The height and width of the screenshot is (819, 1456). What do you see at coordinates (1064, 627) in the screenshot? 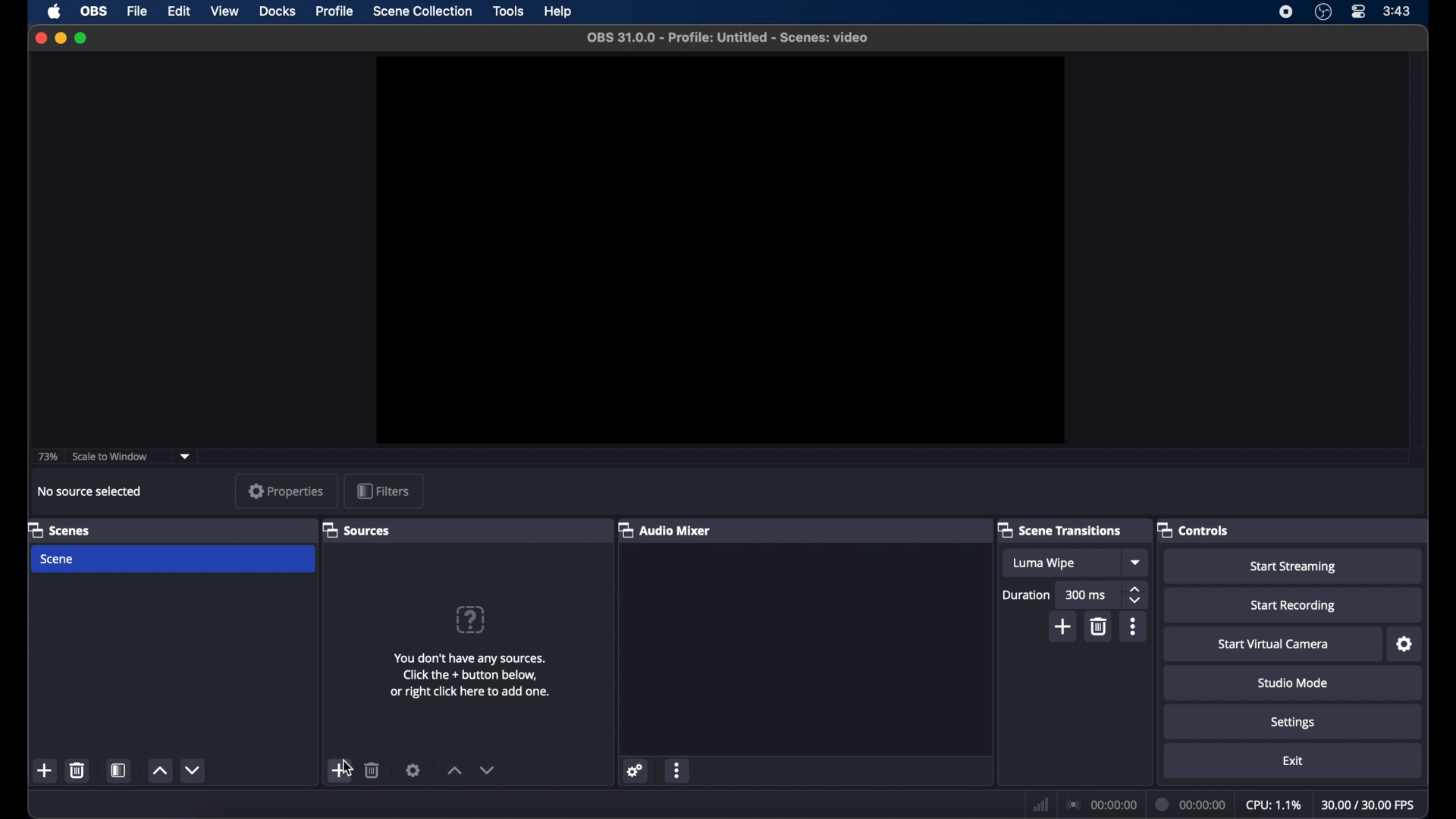
I see `add` at bounding box center [1064, 627].